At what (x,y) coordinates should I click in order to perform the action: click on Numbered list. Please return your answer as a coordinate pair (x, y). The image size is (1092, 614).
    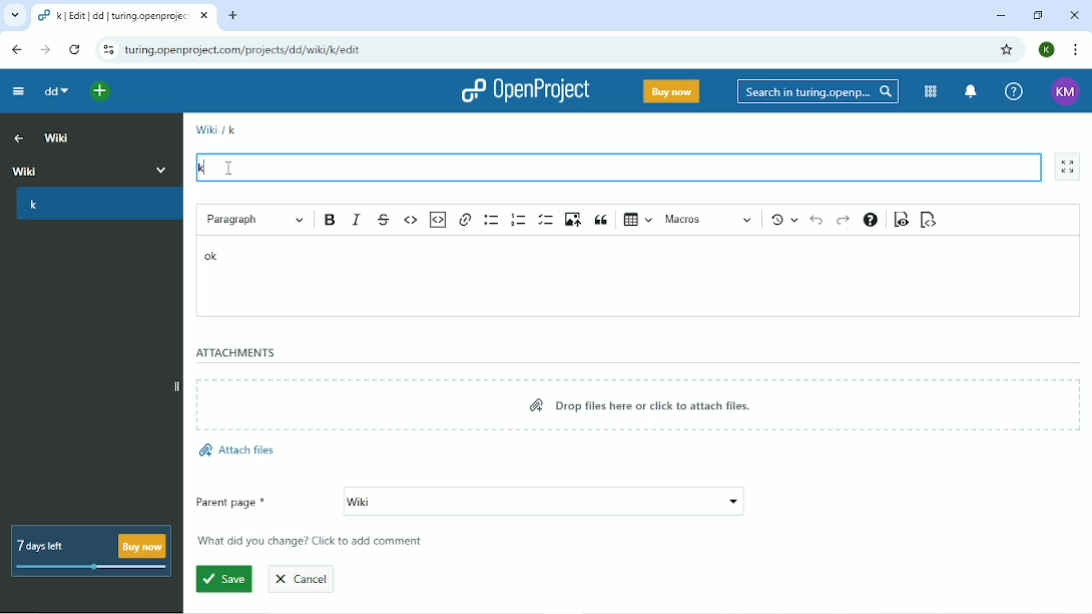
    Looking at the image, I should click on (516, 219).